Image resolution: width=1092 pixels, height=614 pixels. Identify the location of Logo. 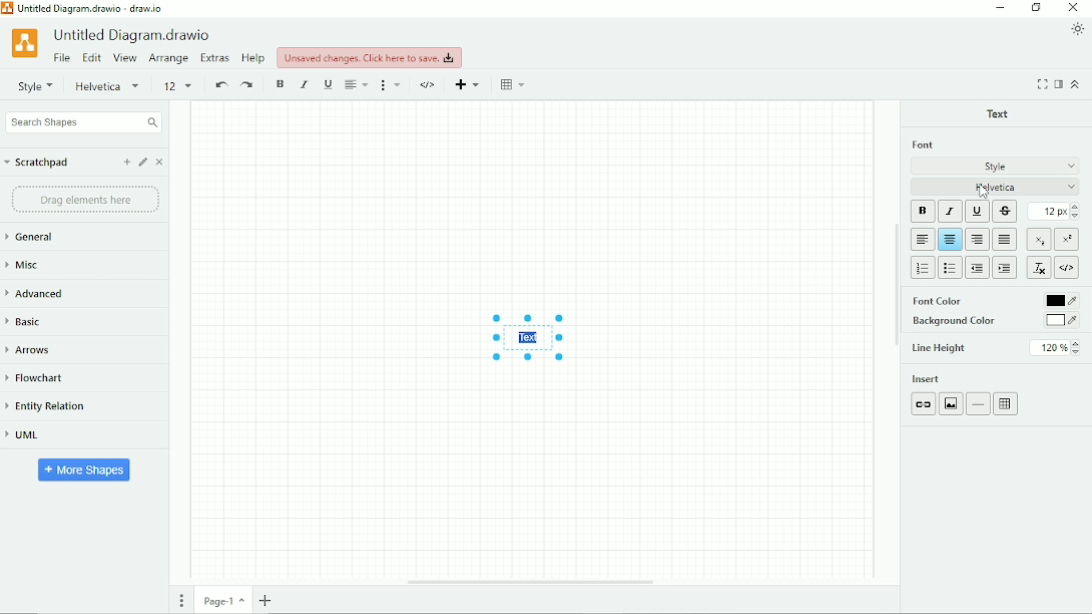
(25, 43).